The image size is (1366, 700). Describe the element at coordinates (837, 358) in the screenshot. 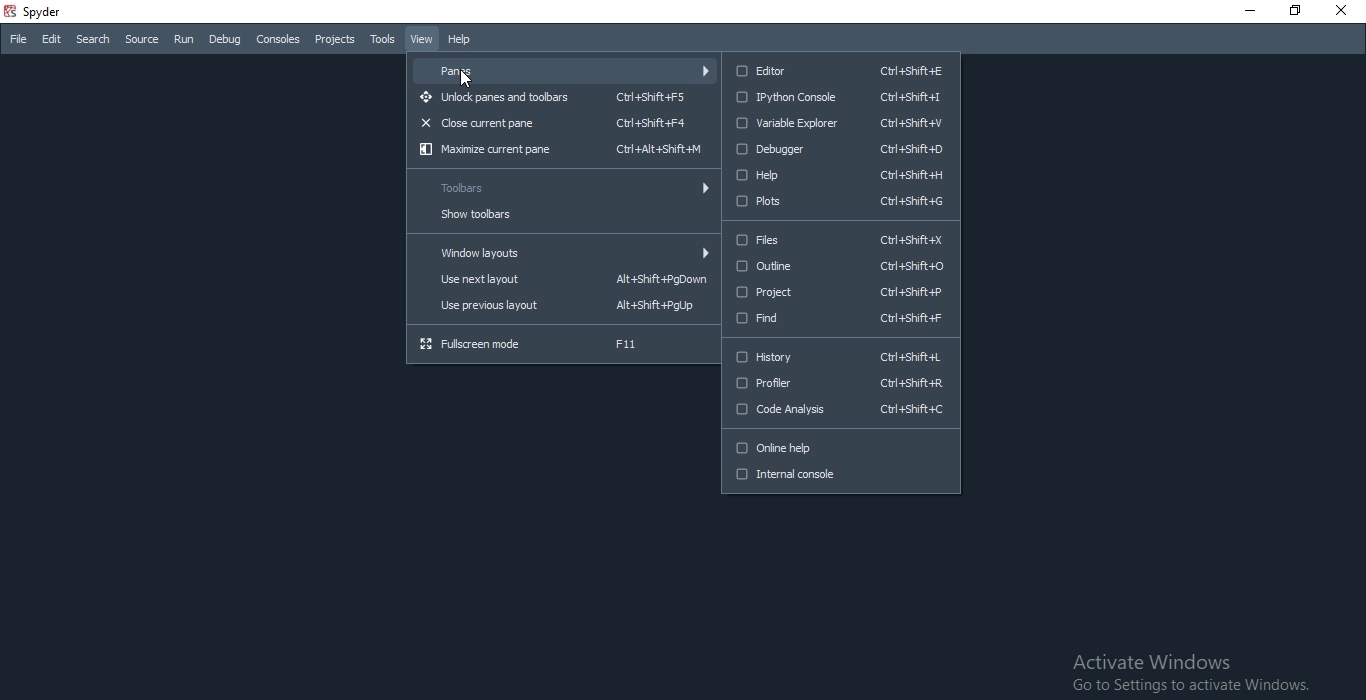

I see `History` at that location.